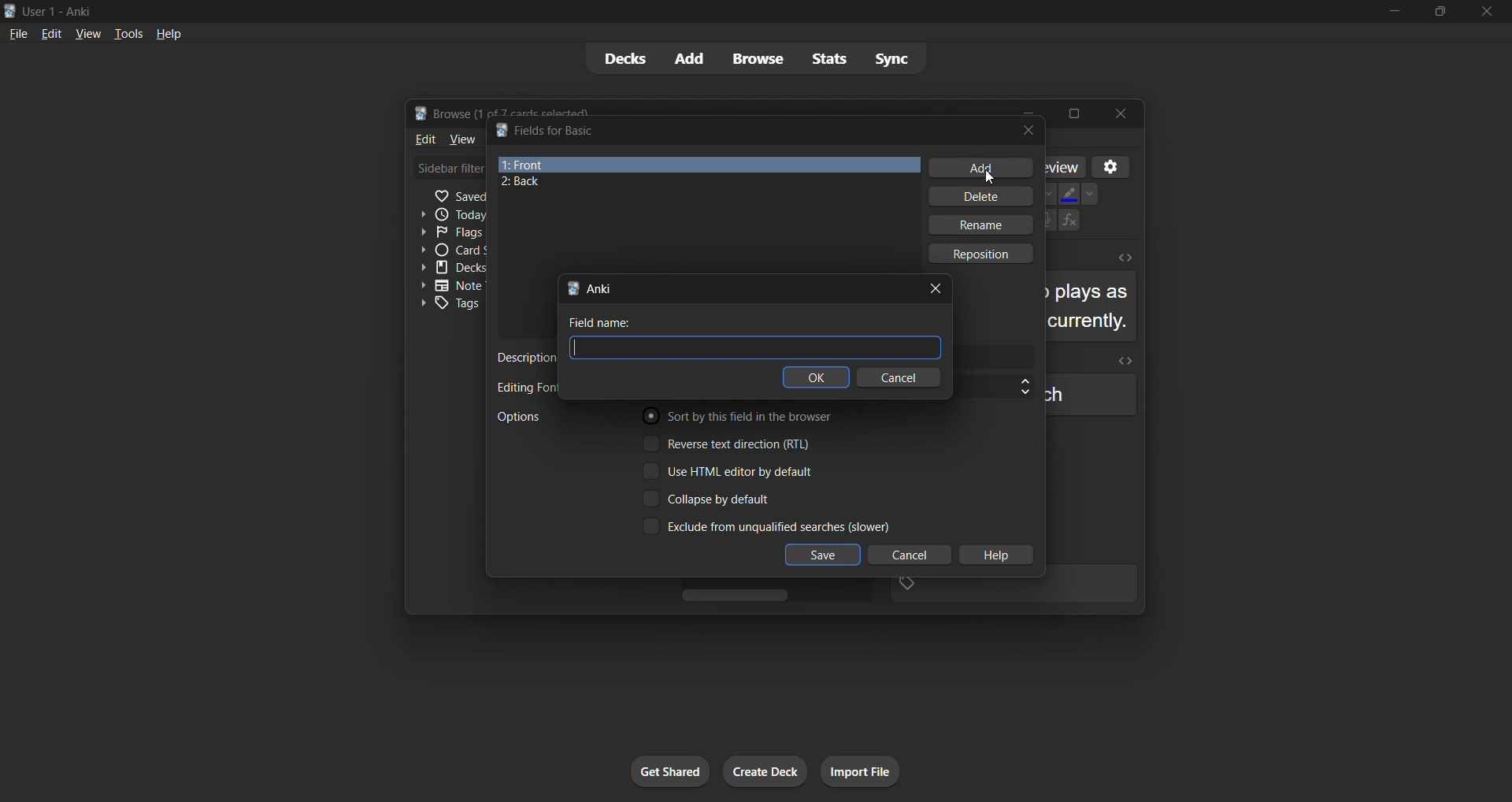 This screenshot has width=1512, height=802. What do you see at coordinates (662, 770) in the screenshot?
I see `get shared` at bounding box center [662, 770].